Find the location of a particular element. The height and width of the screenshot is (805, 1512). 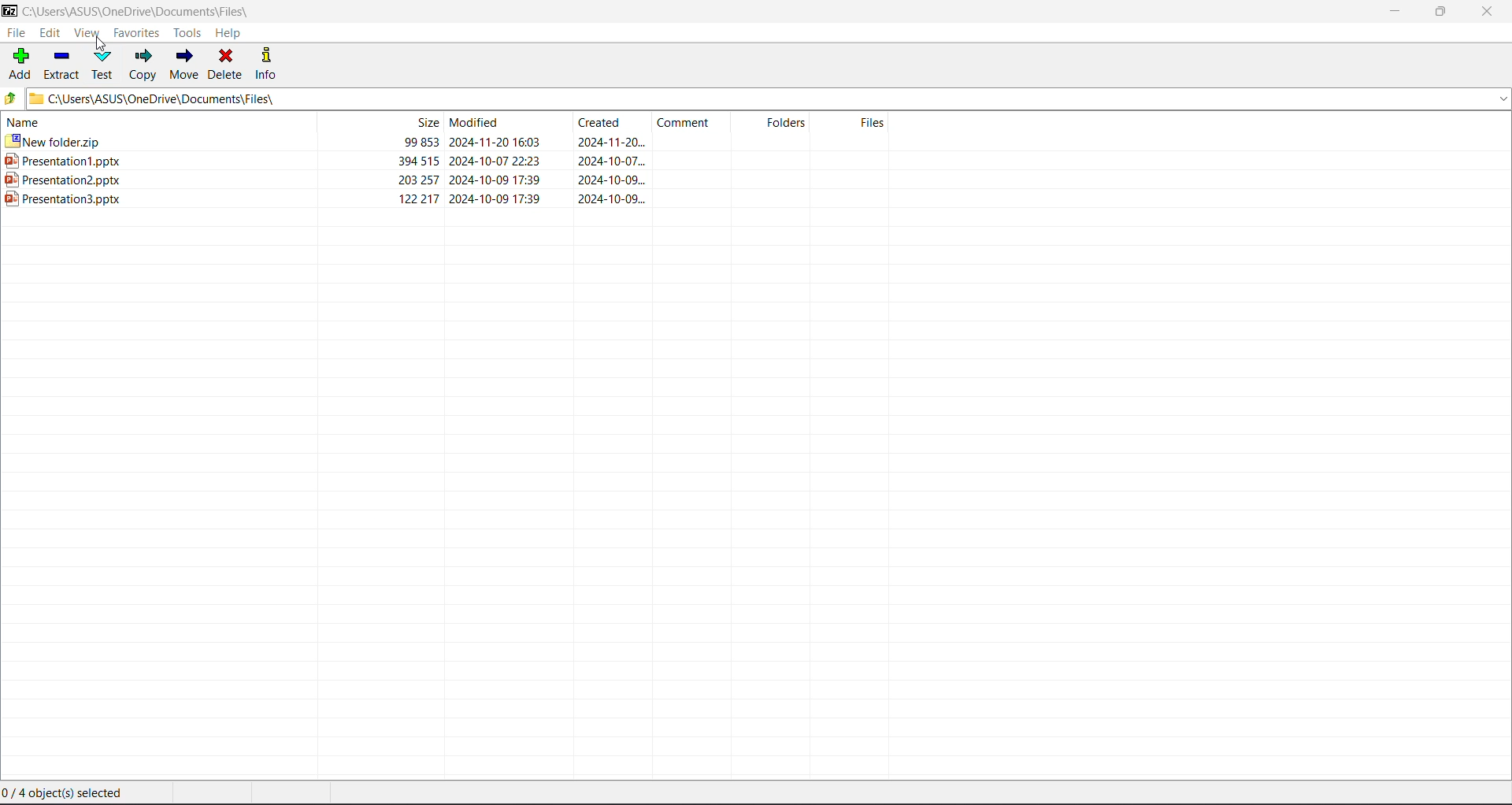

modified is located at coordinates (507, 121).